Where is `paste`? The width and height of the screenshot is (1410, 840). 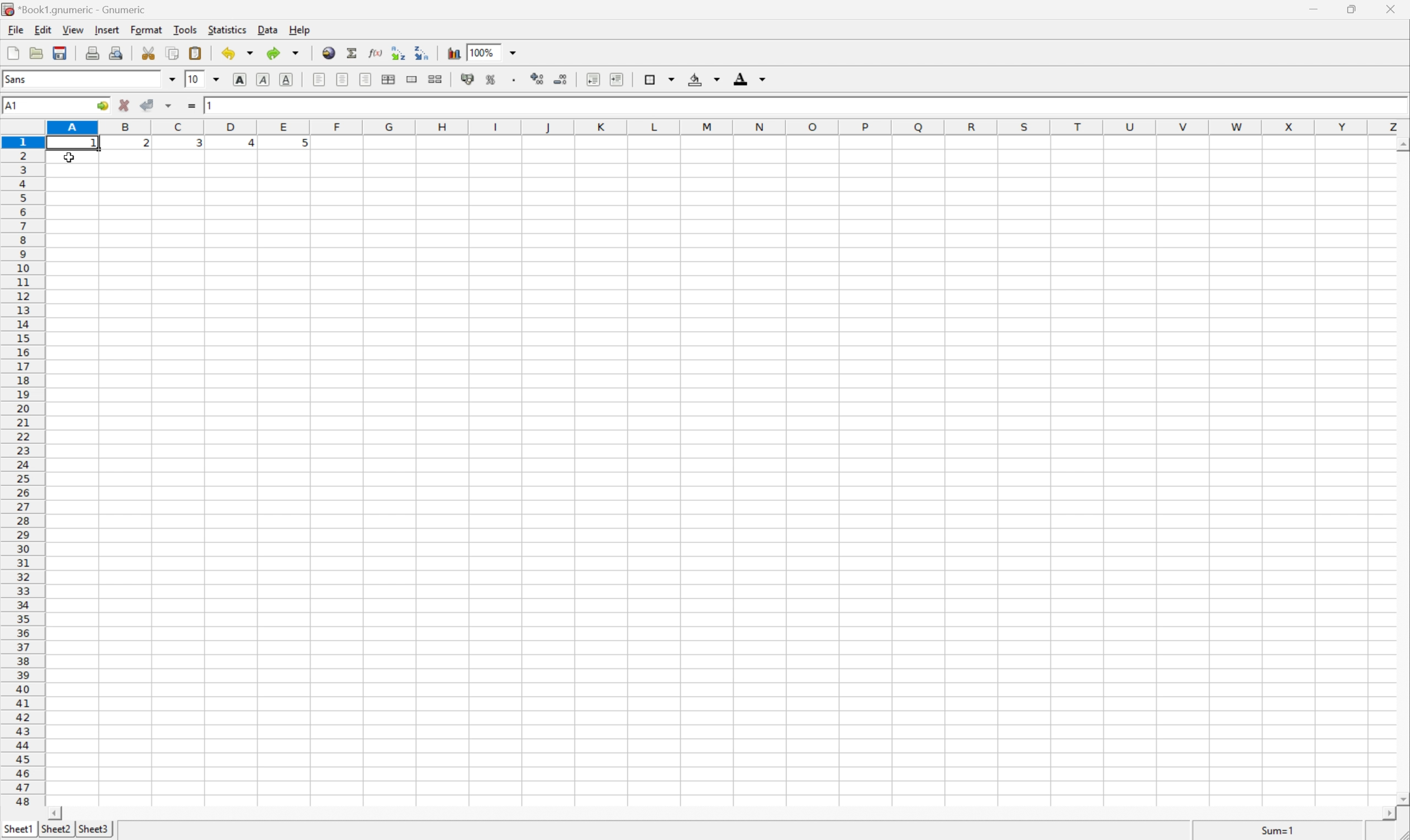
paste is located at coordinates (195, 52).